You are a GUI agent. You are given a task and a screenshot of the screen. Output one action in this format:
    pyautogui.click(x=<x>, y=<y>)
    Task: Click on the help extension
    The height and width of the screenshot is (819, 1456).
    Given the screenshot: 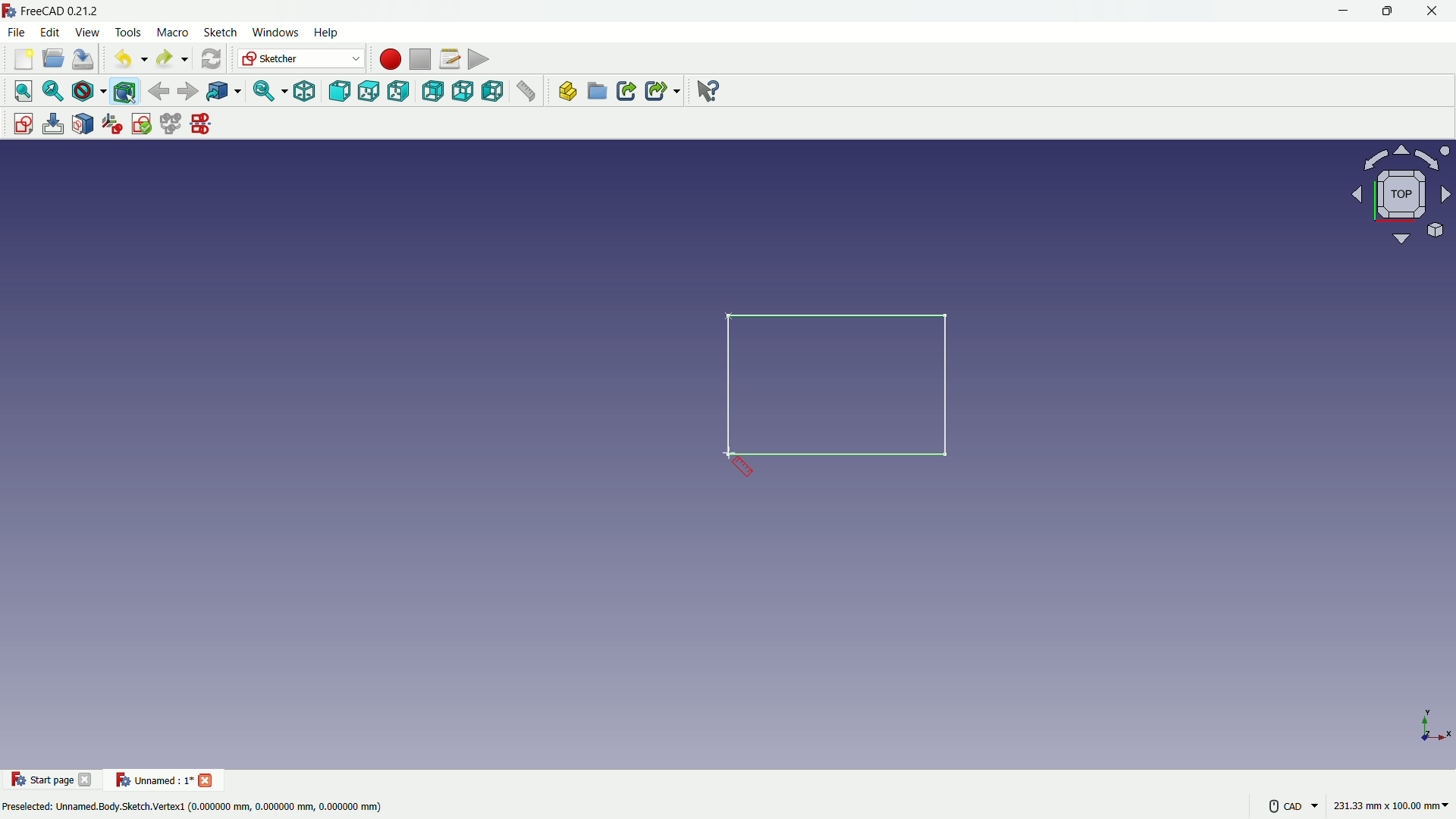 What is the action you would take?
    pyautogui.click(x=709, y=92)
    